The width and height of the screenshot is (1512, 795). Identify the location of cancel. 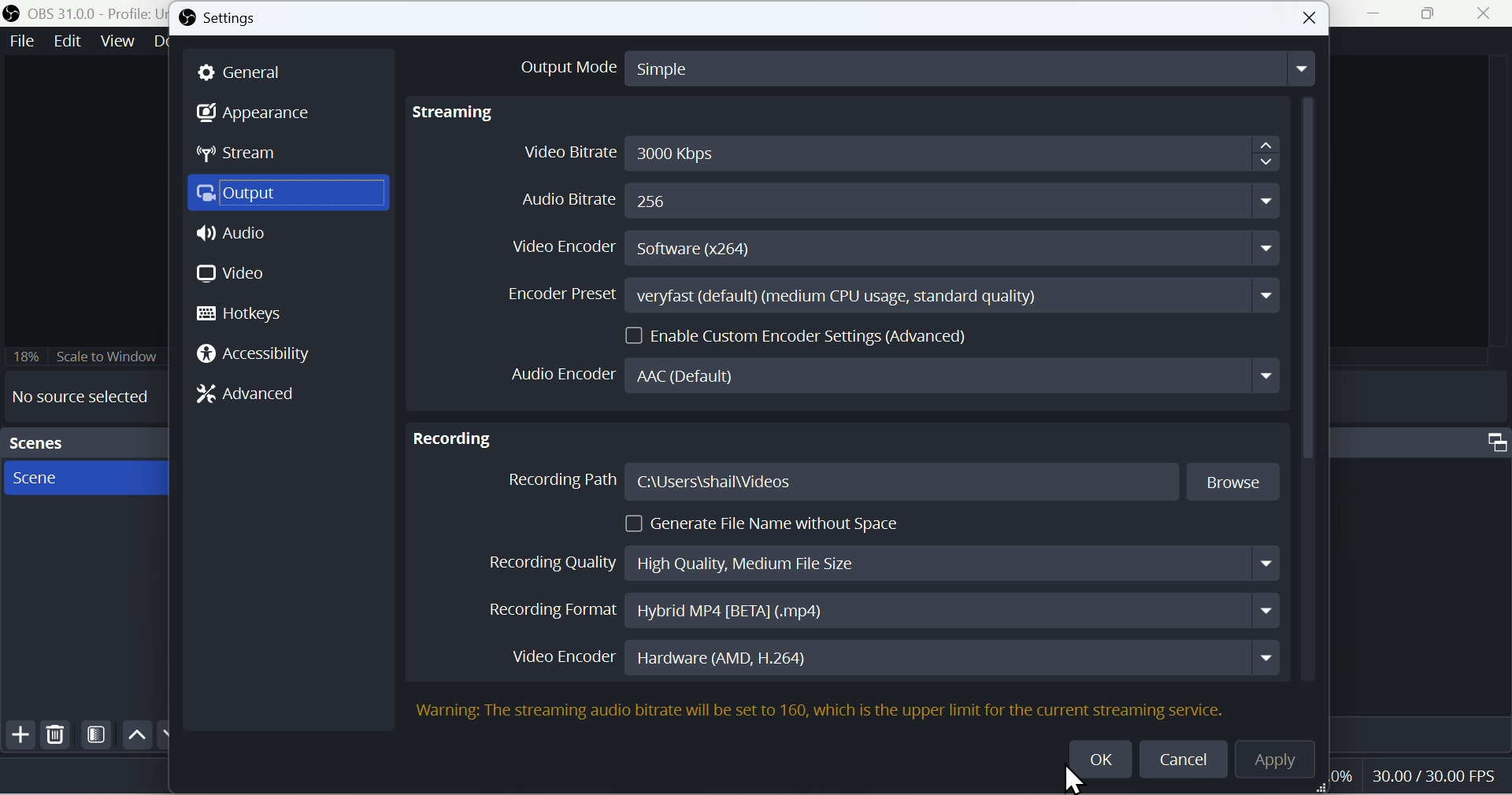
(1186, 758).